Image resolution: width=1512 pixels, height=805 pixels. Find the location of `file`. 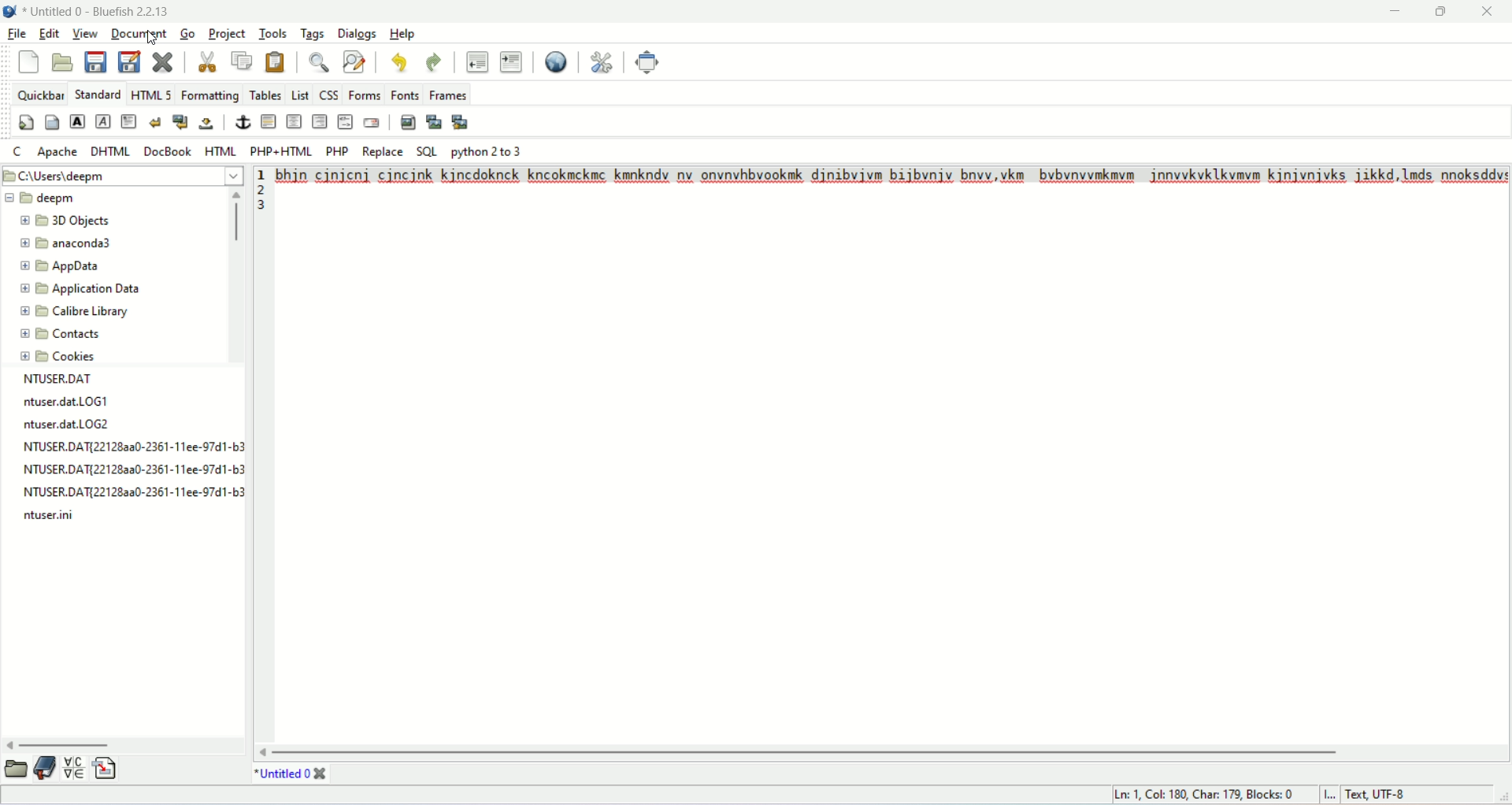

file is located at coordinates (19, 34).